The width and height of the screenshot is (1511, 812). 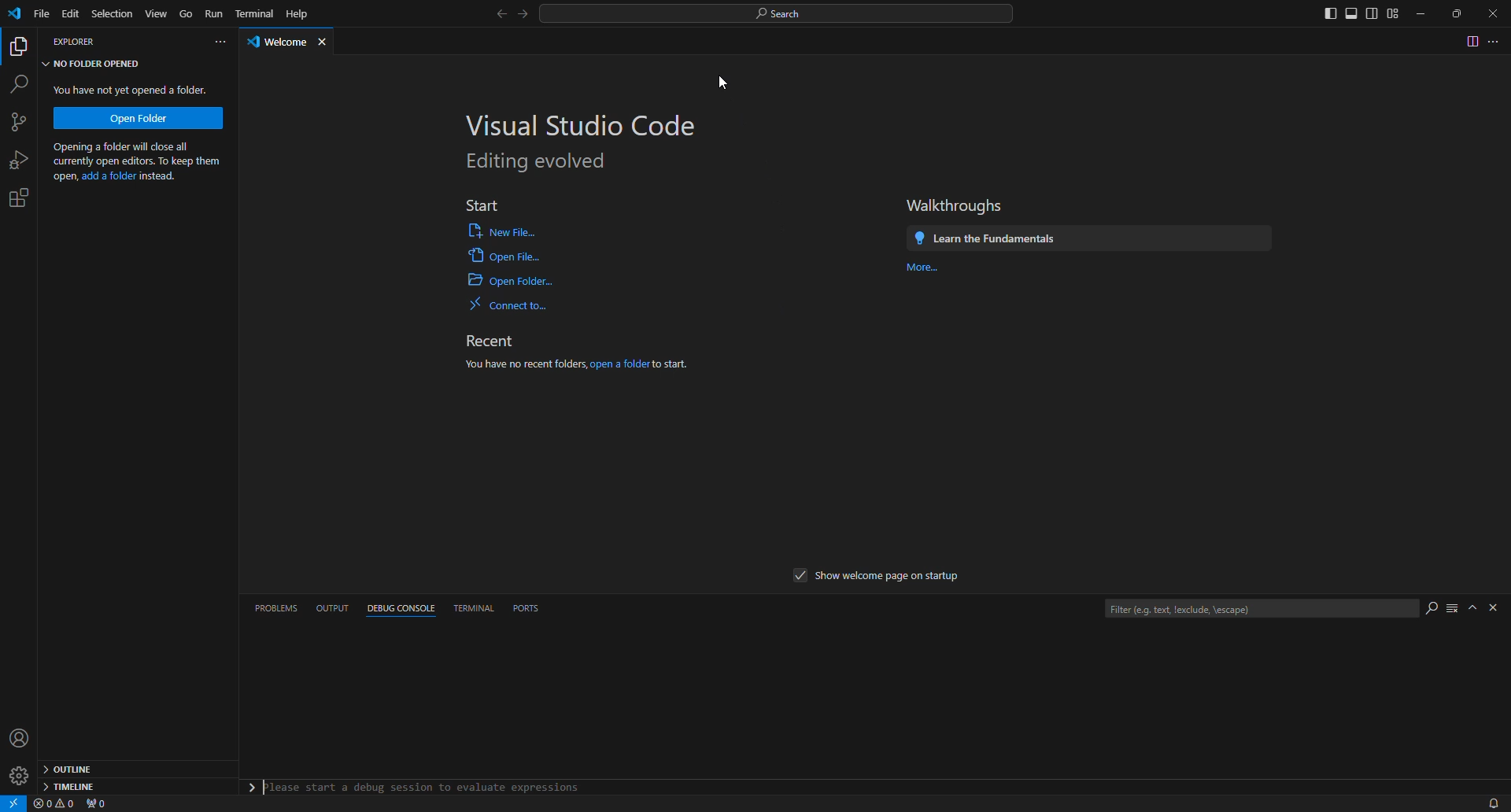 I want to click on outline, so click(x=71, y=769).